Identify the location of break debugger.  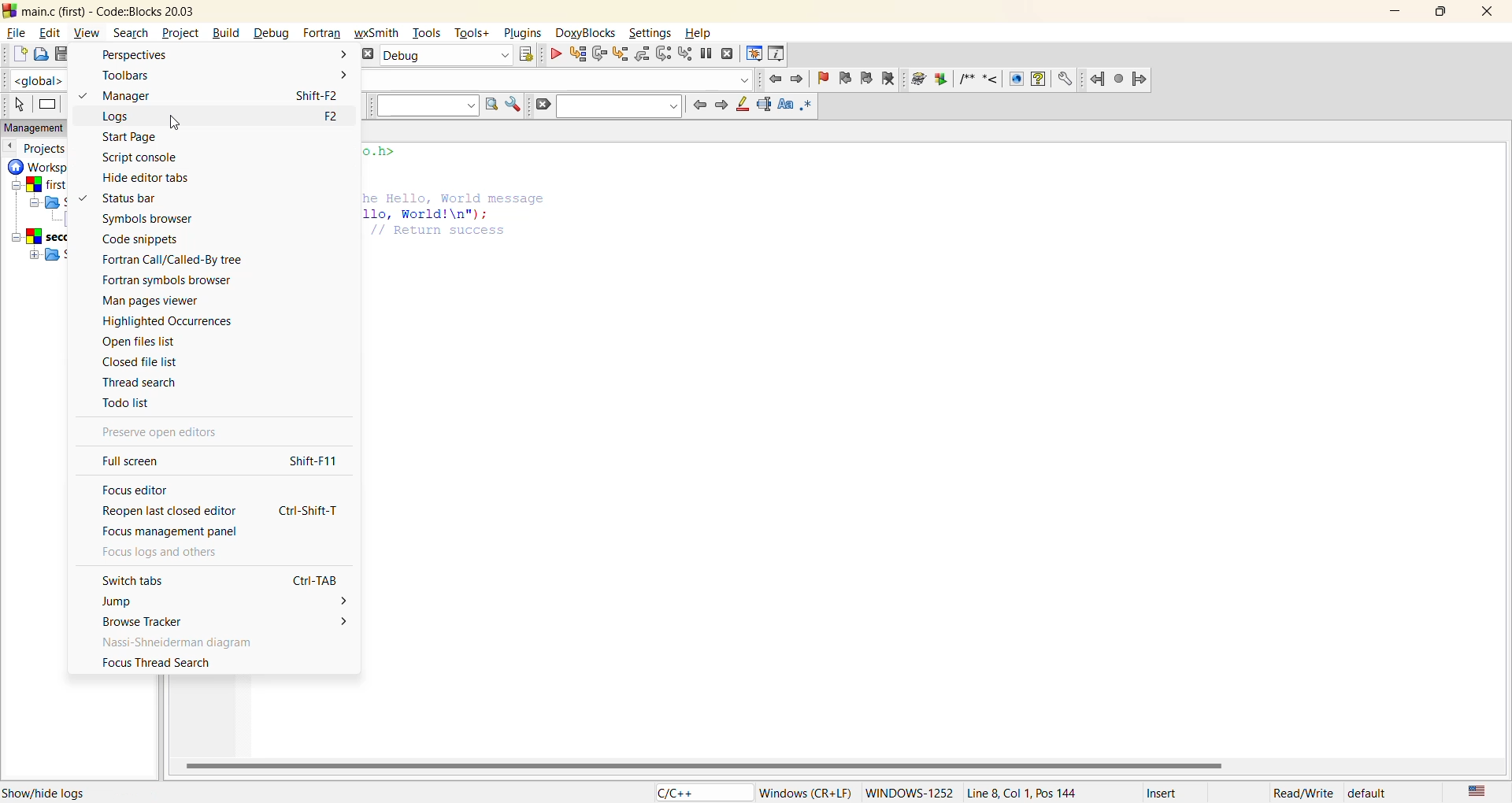
(709, 56).